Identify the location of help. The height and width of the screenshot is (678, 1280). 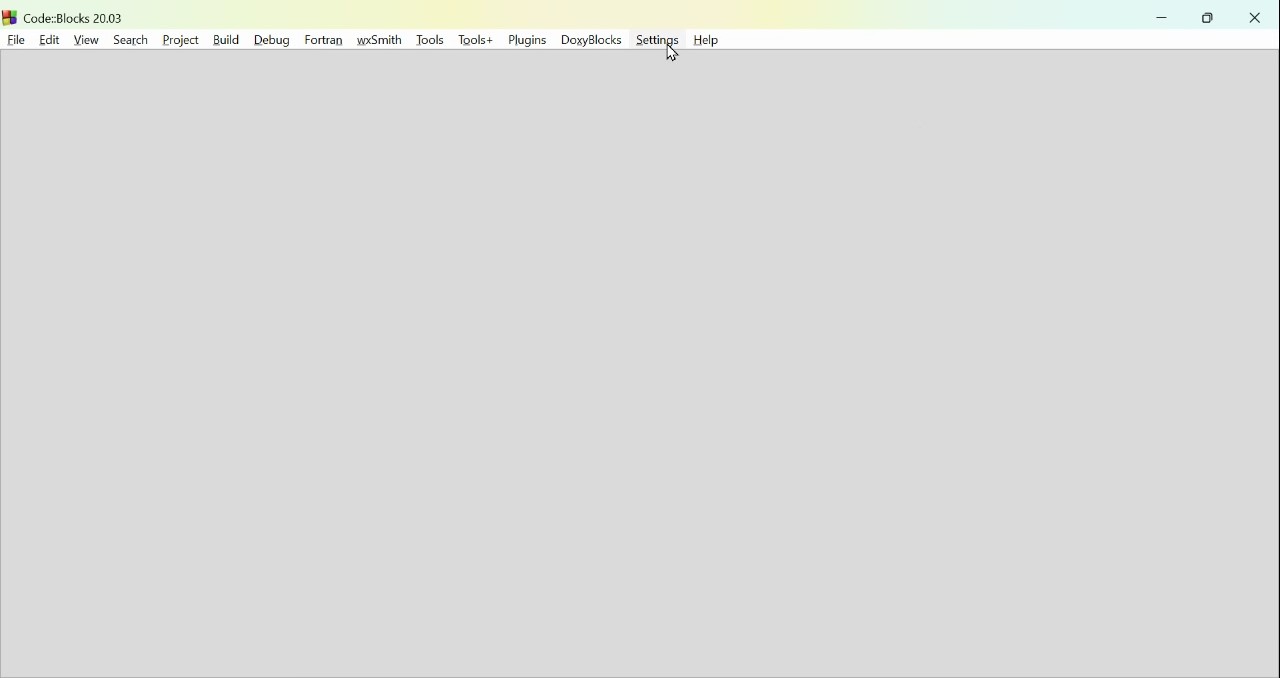
(713, 41).